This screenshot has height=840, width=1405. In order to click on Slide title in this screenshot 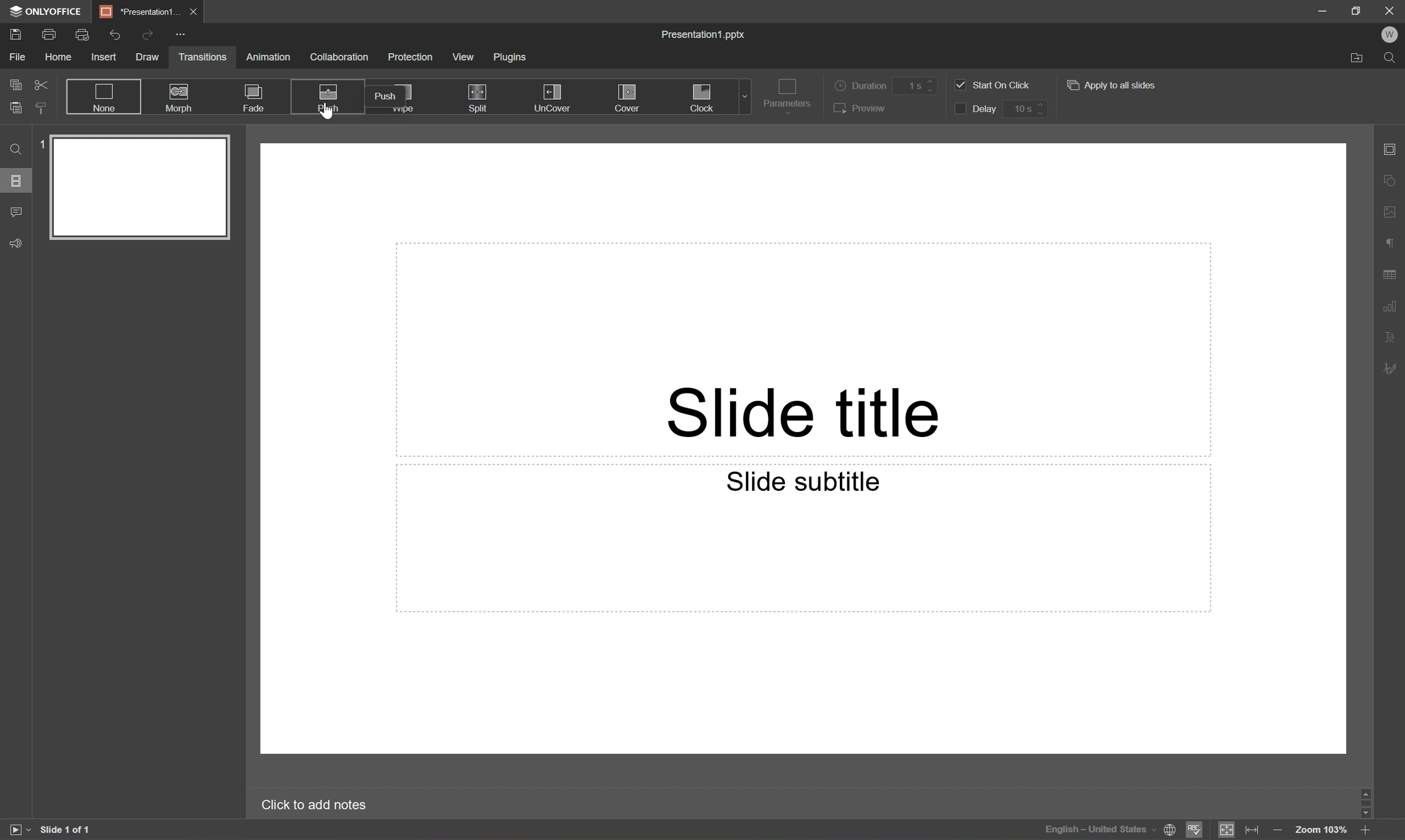, I will do `click(804, 412)`.